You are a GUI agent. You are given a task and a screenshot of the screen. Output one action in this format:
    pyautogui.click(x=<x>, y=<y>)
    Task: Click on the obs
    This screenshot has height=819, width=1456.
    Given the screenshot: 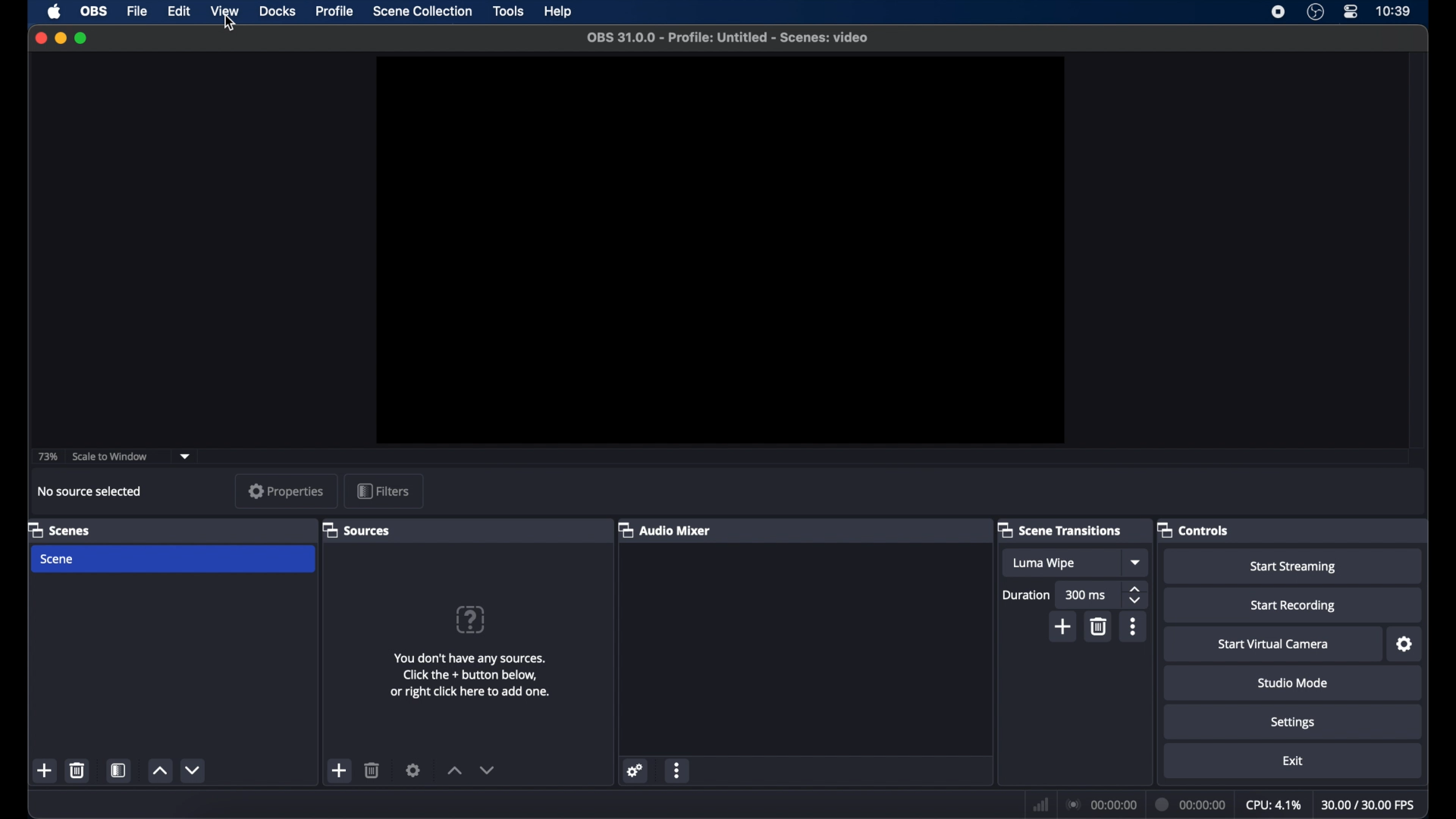 What is the action you would take?
    pyautogui.click(x=94, y=11)
    